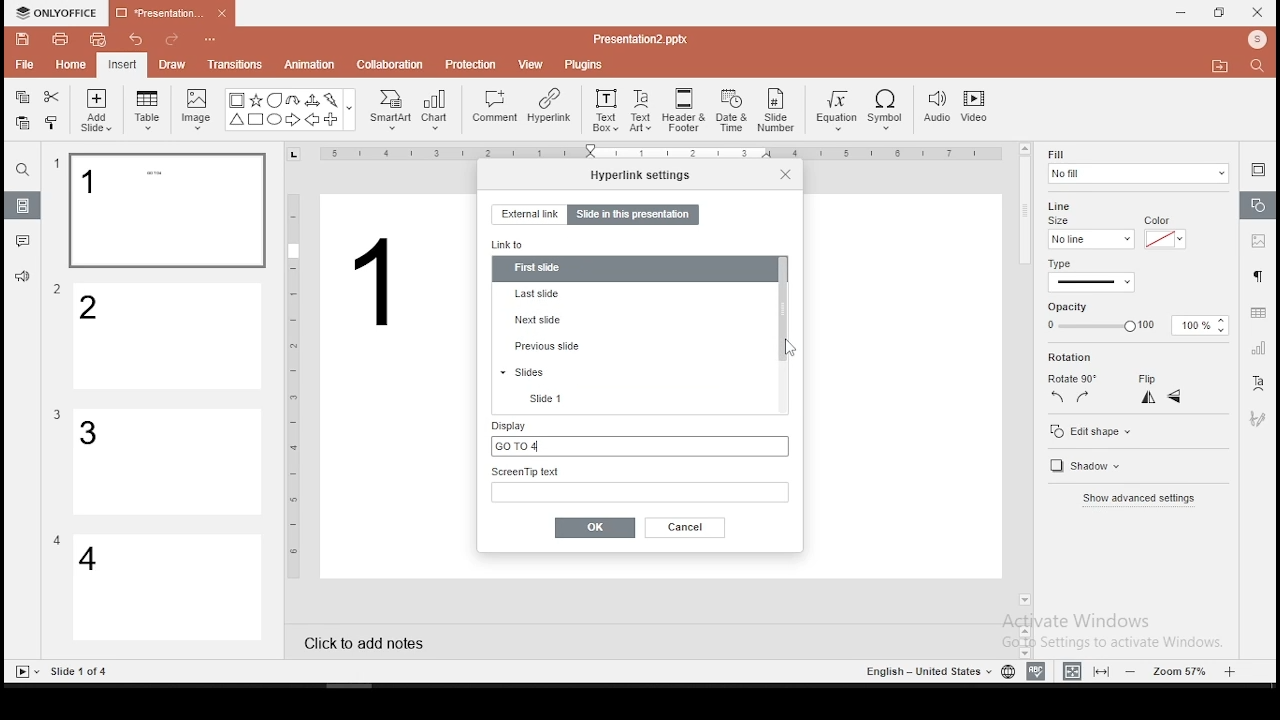  I want to click on insert, so click(121, 64).